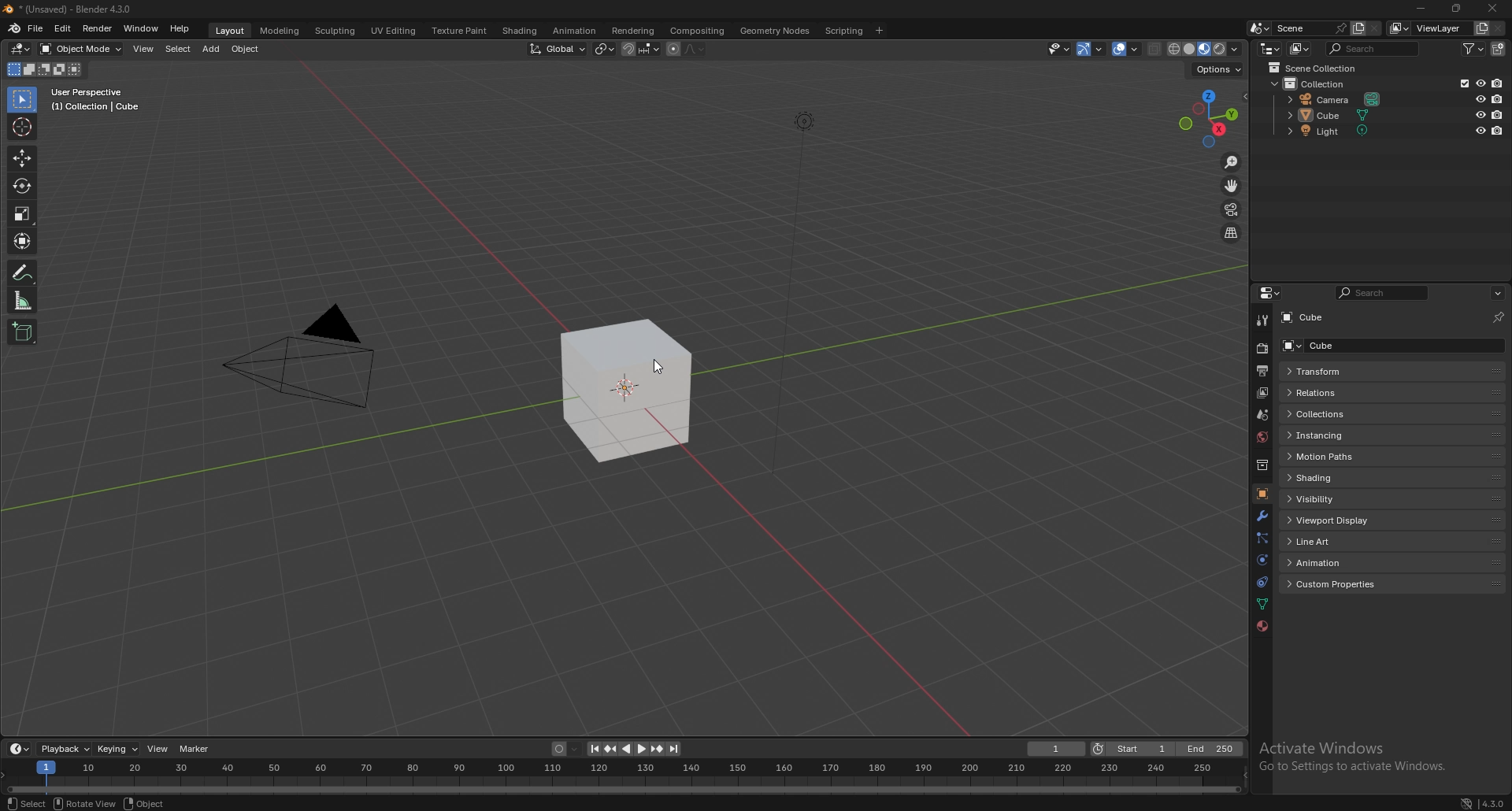 The image size is (1512, 811). What do you see at coordinates (1262, 605) in the screenshot?
I see `data` at bounding box center [1262, 605].